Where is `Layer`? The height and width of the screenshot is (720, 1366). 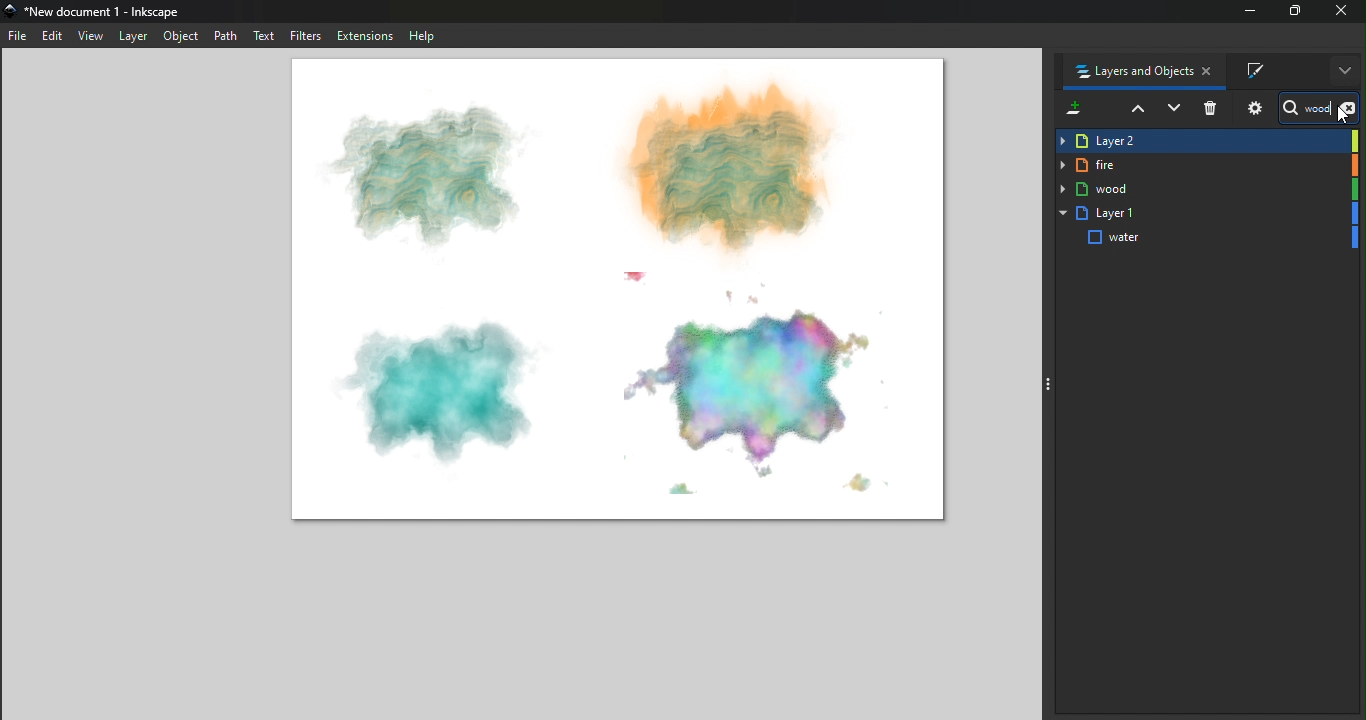 Layer is located at coordinates (132, 35).